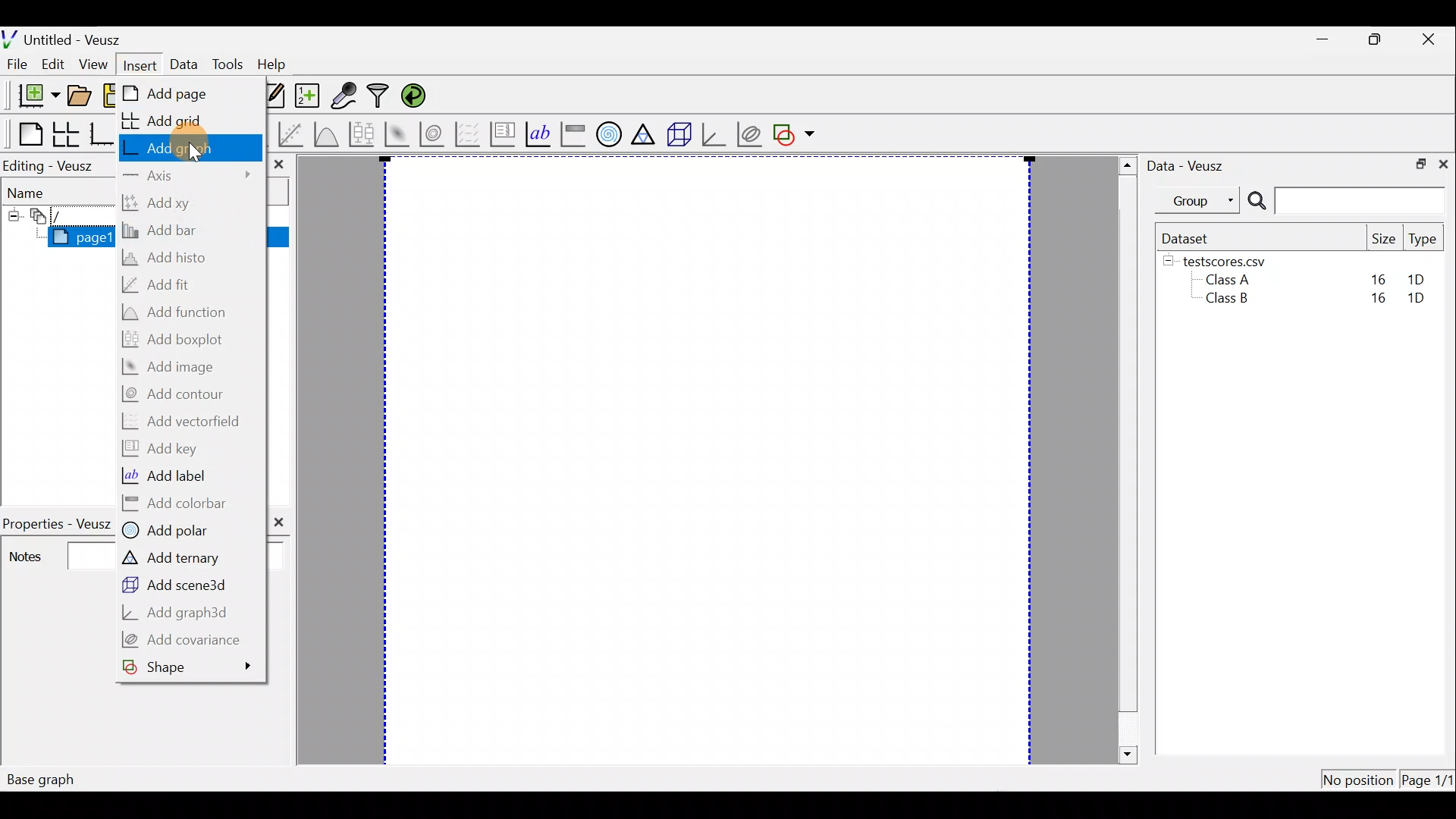  Describe the element at coordinates (278, 165) in the screenshot. I see `close` at that location.